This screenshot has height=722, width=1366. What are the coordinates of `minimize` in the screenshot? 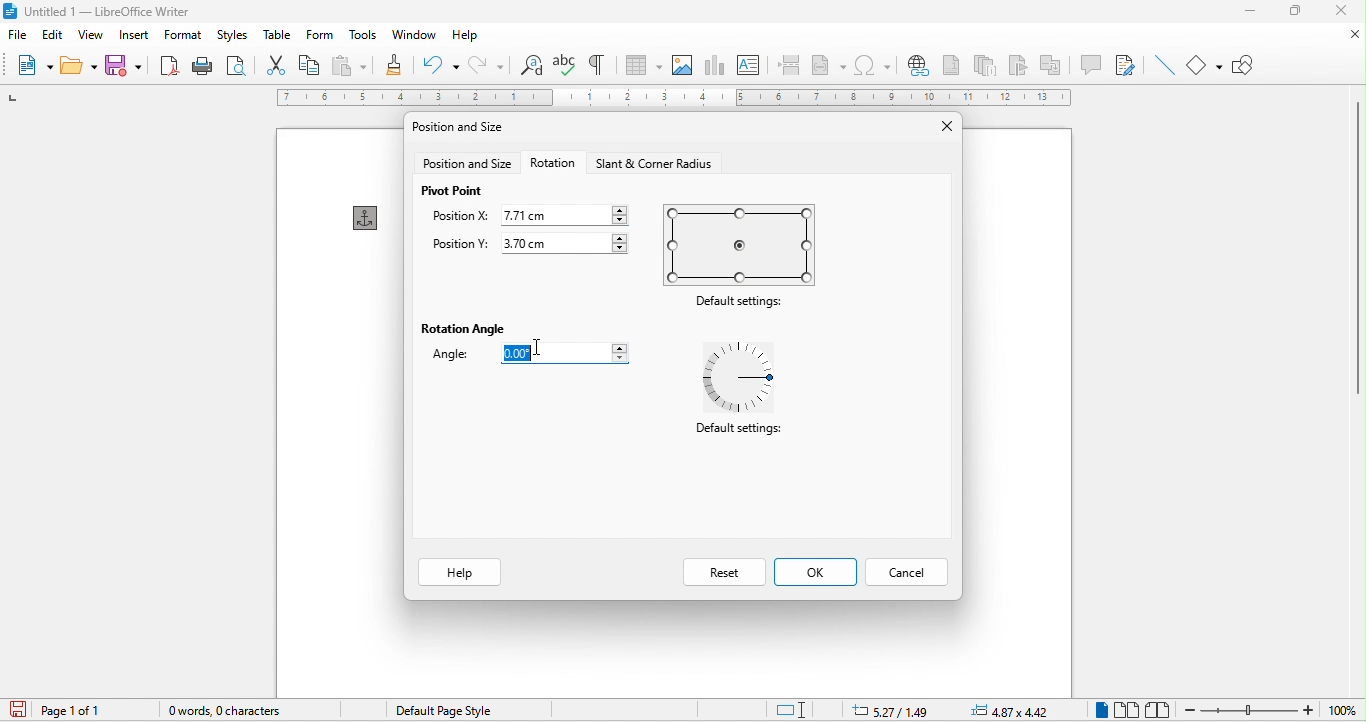 It's located at (1250, 11).